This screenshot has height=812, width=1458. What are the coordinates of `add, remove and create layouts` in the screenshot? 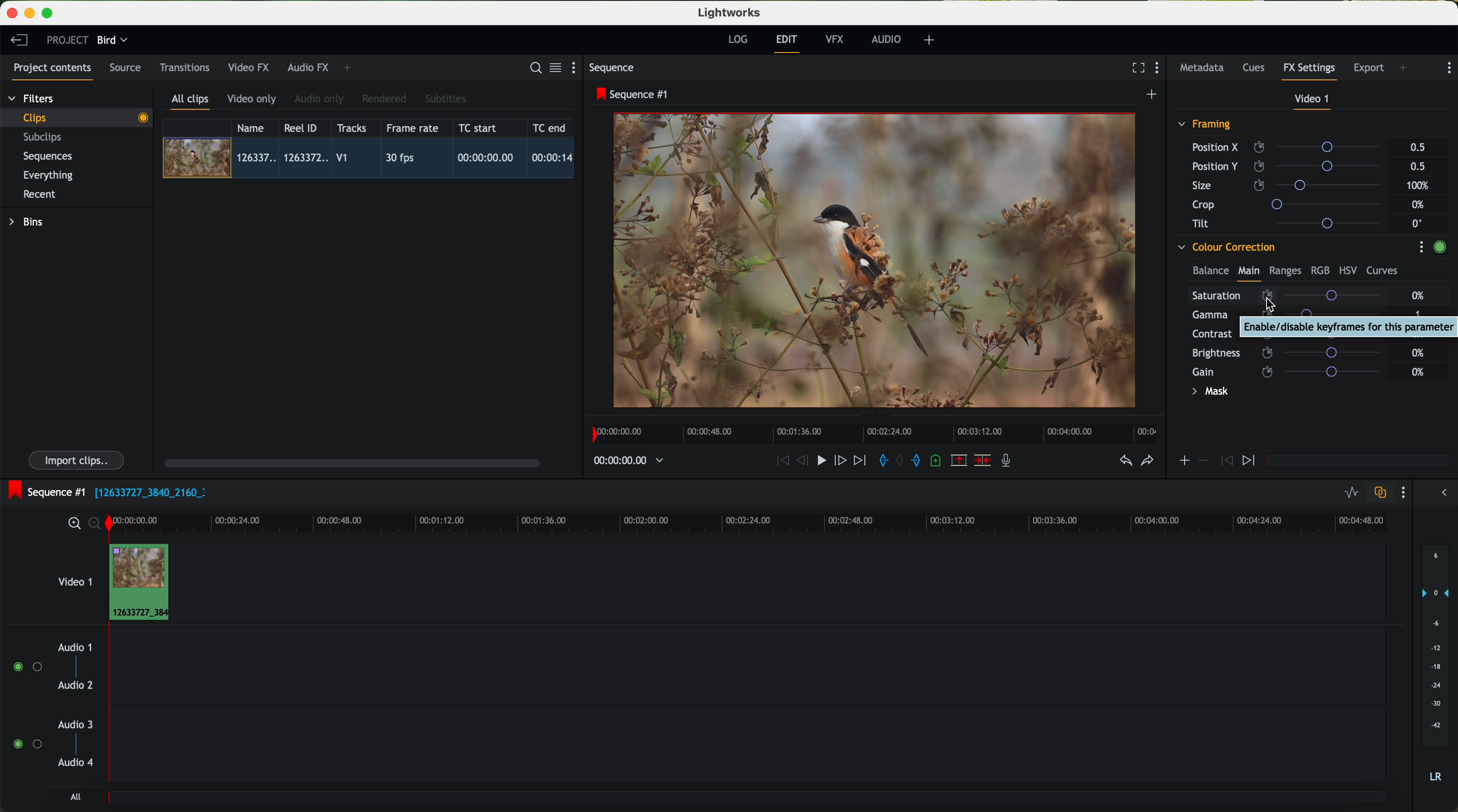 It's located at (931, 40).